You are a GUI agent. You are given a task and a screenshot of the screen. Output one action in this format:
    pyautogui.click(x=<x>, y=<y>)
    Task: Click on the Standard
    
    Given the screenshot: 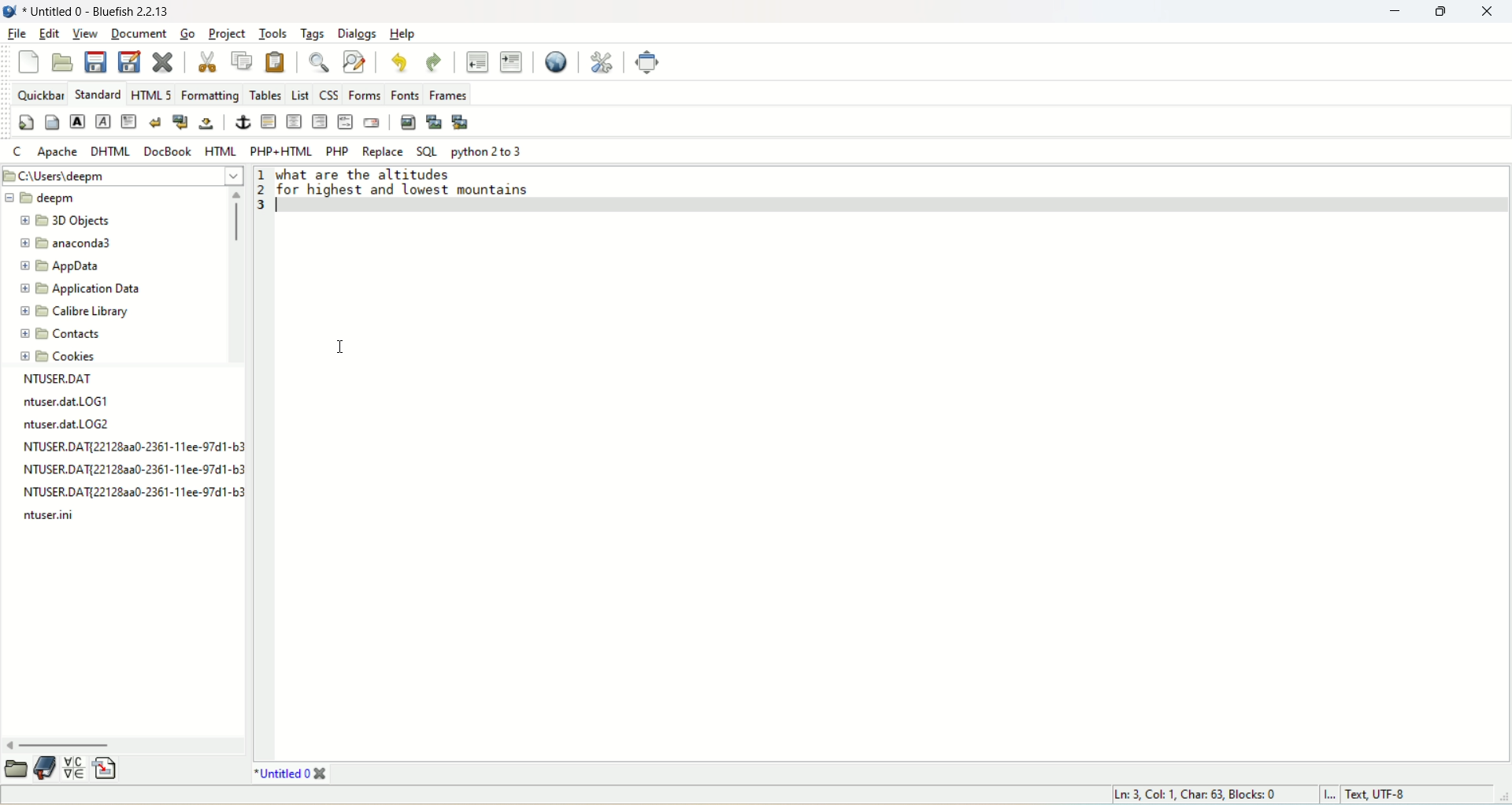 What is the action you would take?
    pyautogui.click(x=97, y=93)
    